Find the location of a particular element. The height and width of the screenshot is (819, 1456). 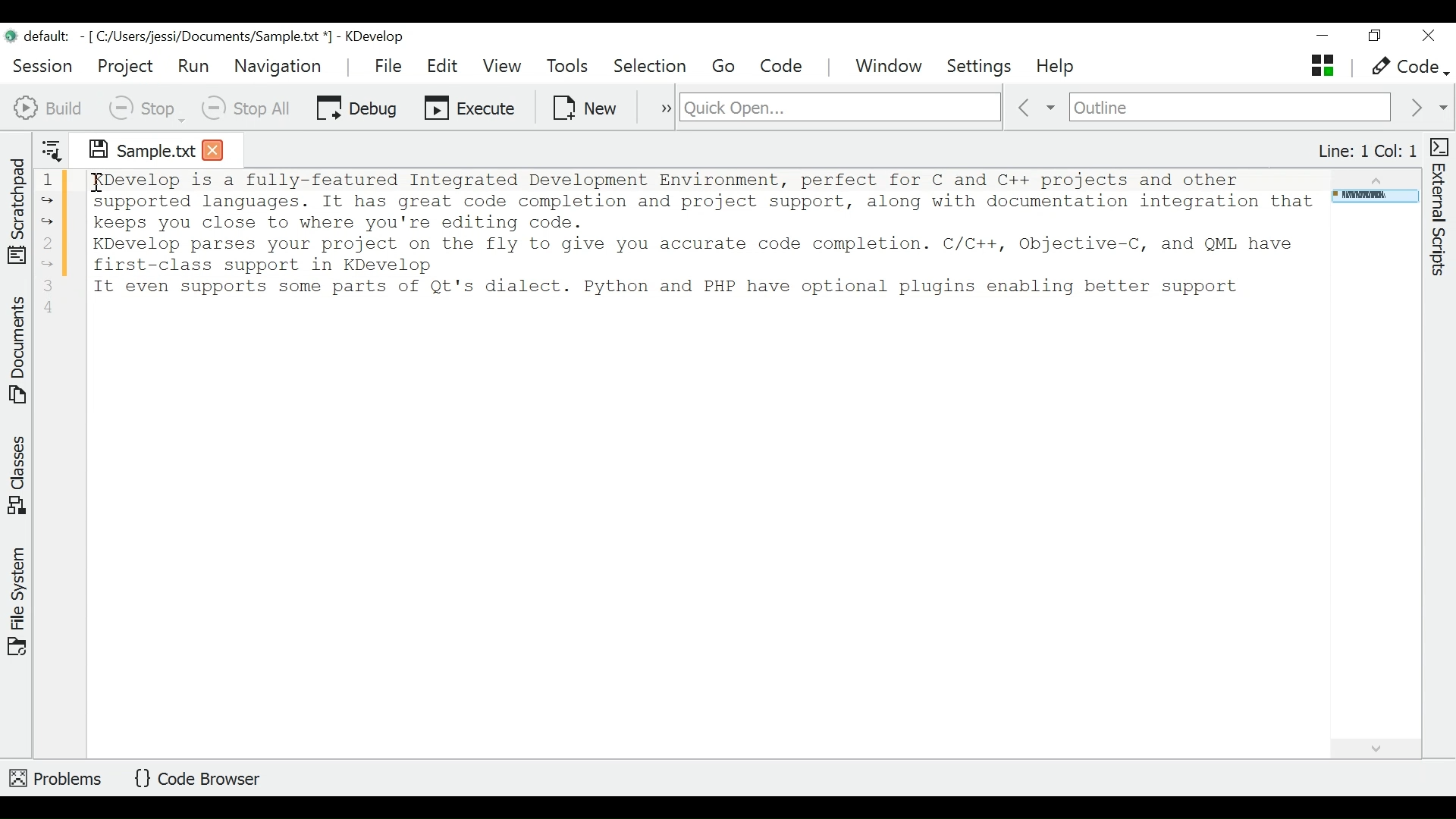

Quick Open is located at coordinates (838, 108).